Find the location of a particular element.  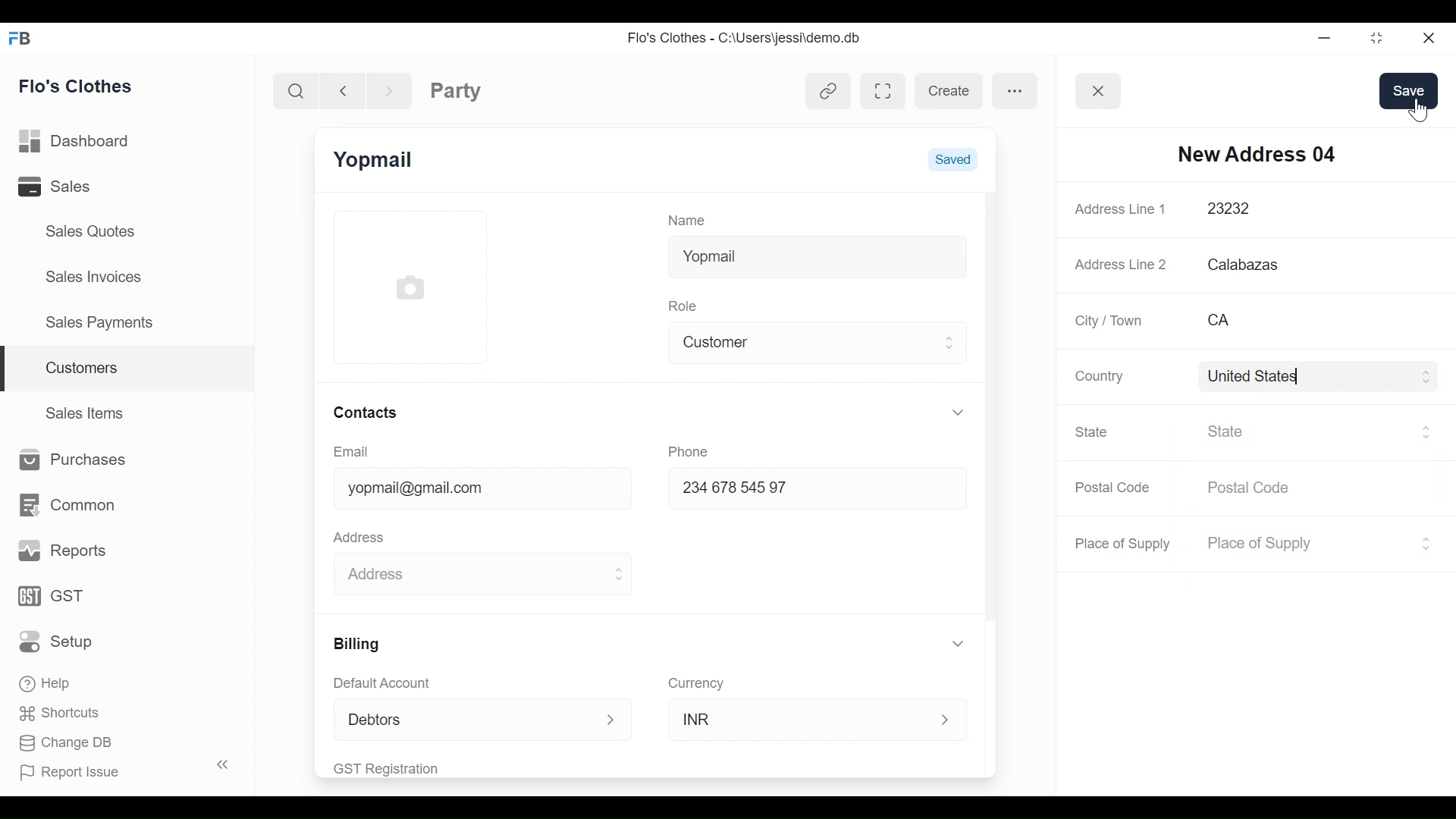

Expand is located at coordinates (951, 342).